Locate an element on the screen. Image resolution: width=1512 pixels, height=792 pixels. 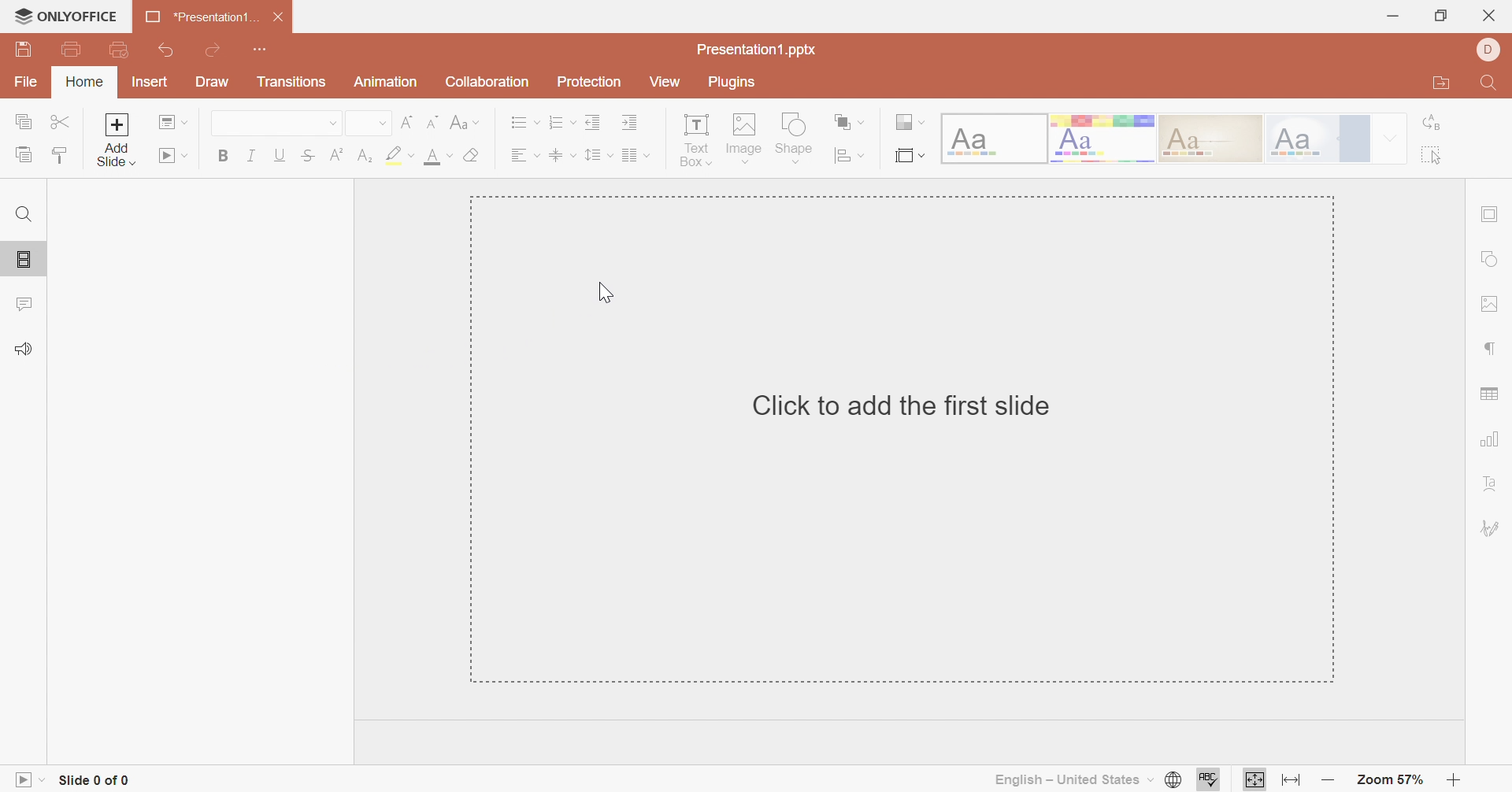
Zoom in is located at coordinates (1454, 779).